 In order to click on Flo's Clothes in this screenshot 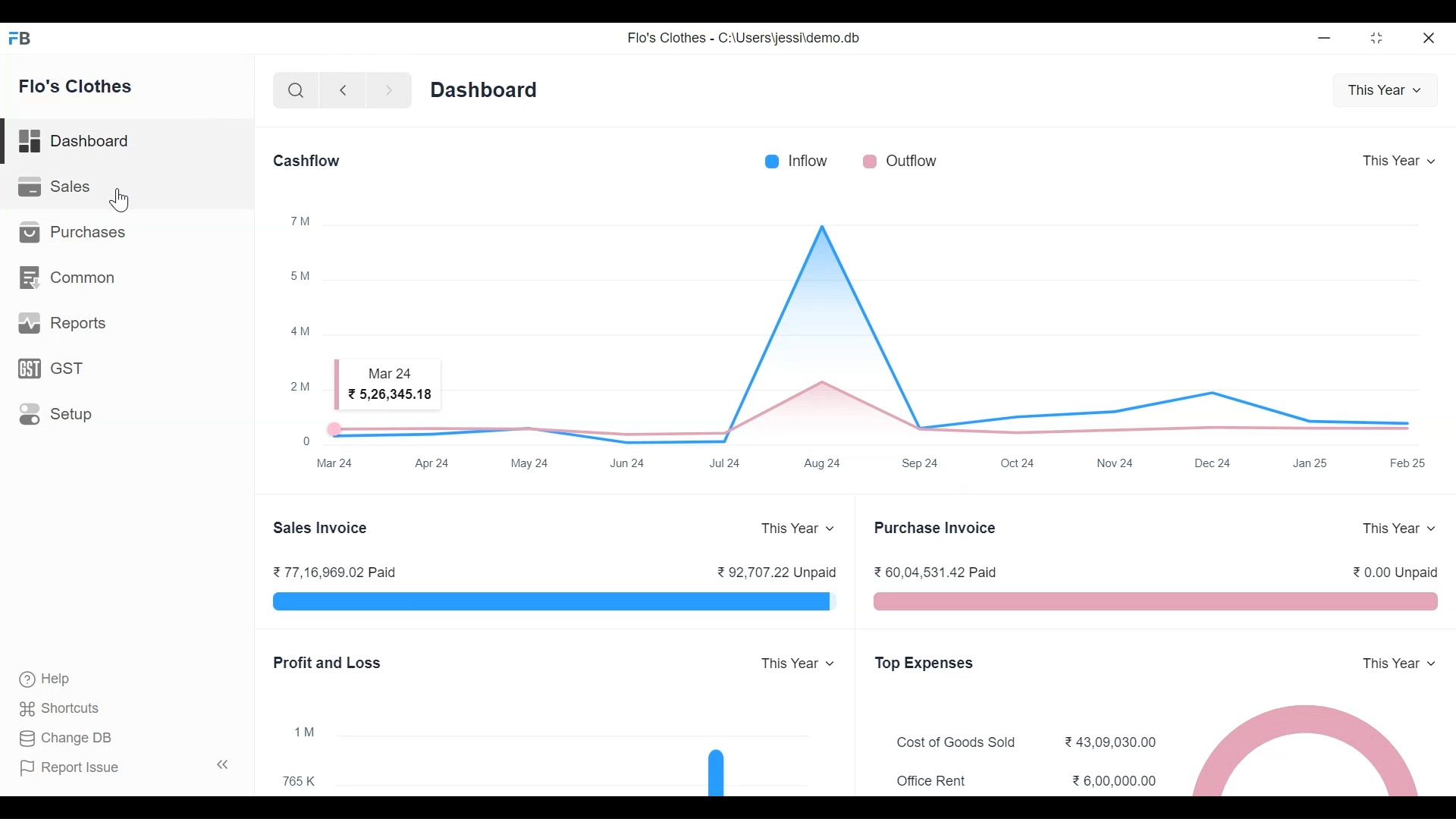, I will do `click(77, 85)`.